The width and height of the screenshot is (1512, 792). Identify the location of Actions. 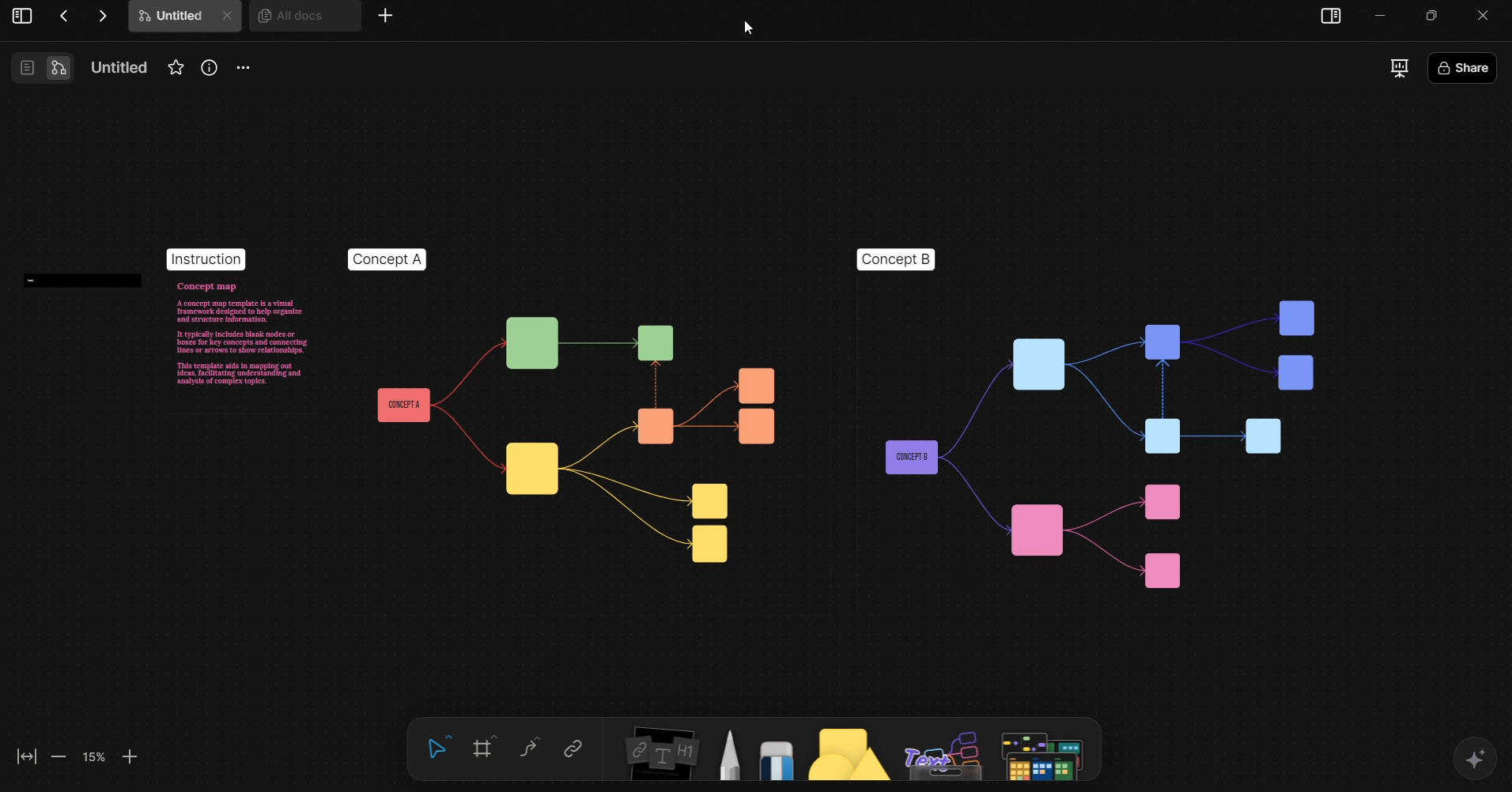
(83, 16).